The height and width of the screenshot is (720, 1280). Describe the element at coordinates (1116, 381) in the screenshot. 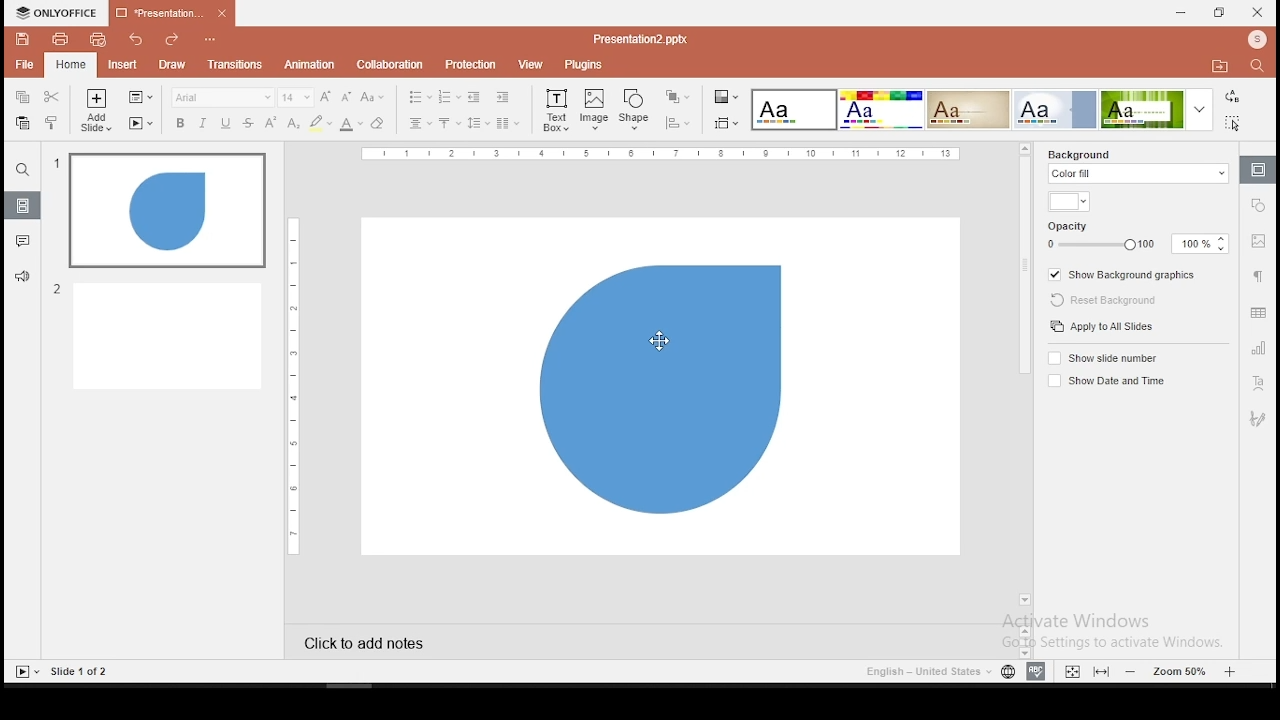

I see `show date and time` at that location.